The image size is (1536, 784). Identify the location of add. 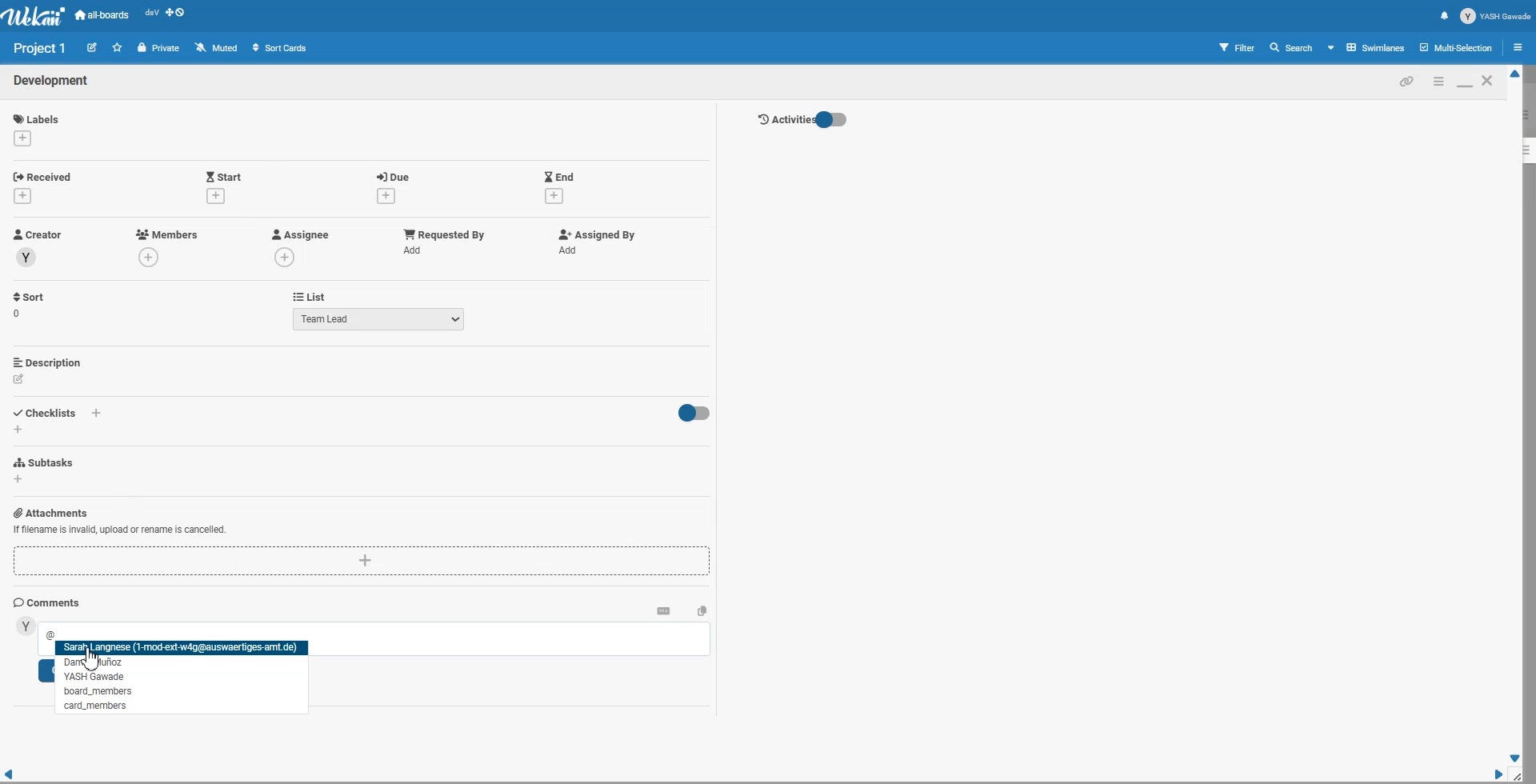
(215, 195).